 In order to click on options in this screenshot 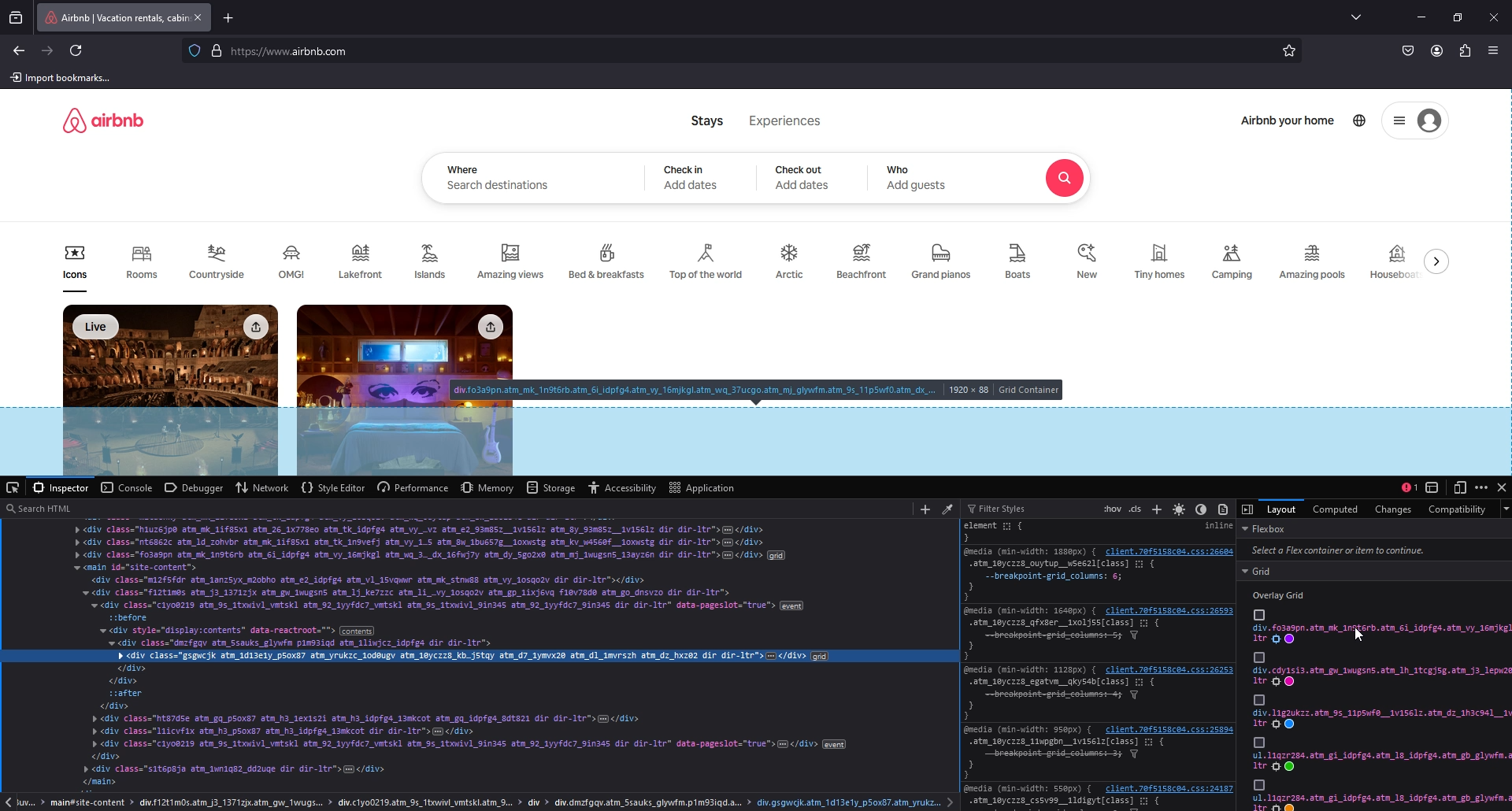, I will do `click(1399, 121)`.